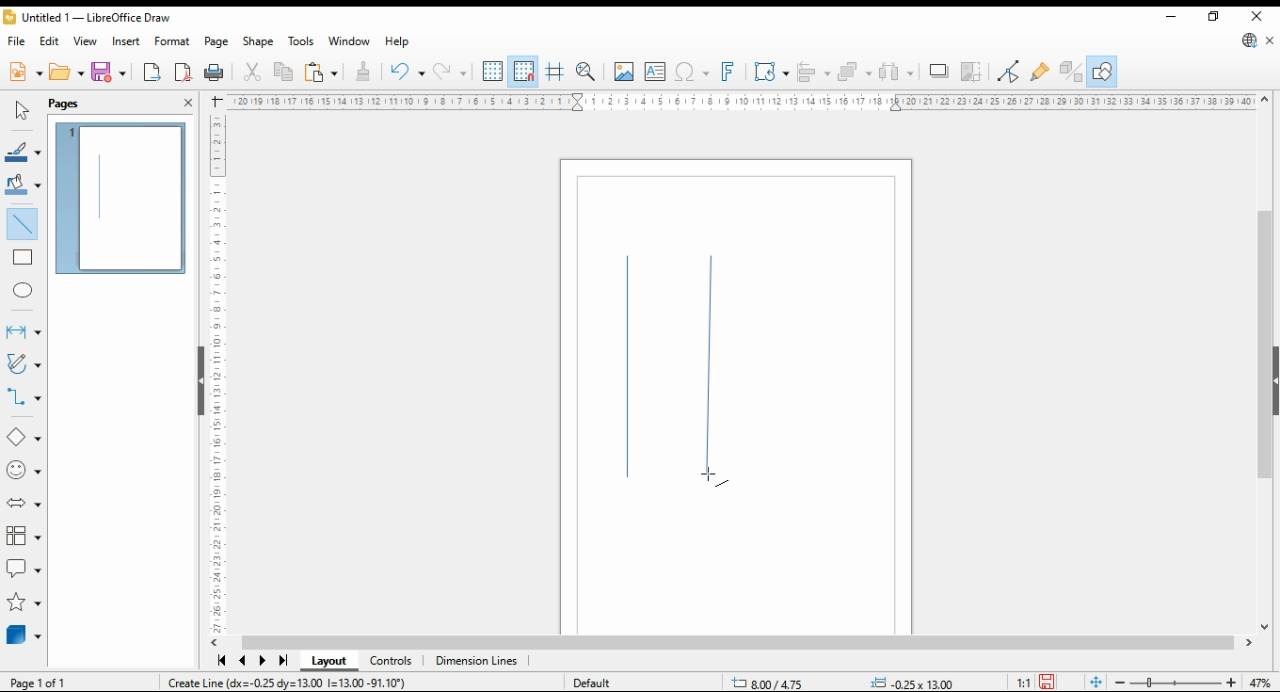 Image resolution: width=1280 pixels, height=692 pixels. Describe the element at coordinates (314, 683) in the screenshot. I see `create vertical line` at that location.